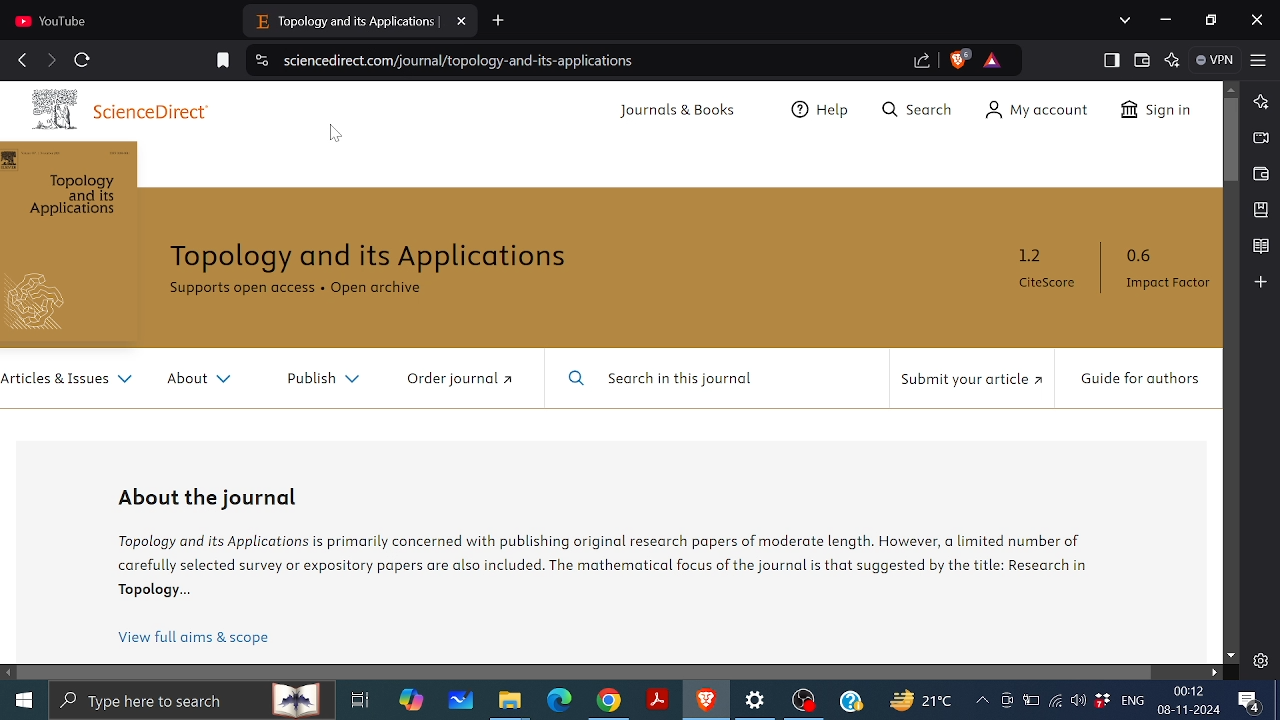 This screenshot has width=1280, height=720. I want to click on Show hidden icons, so click(982, 701).